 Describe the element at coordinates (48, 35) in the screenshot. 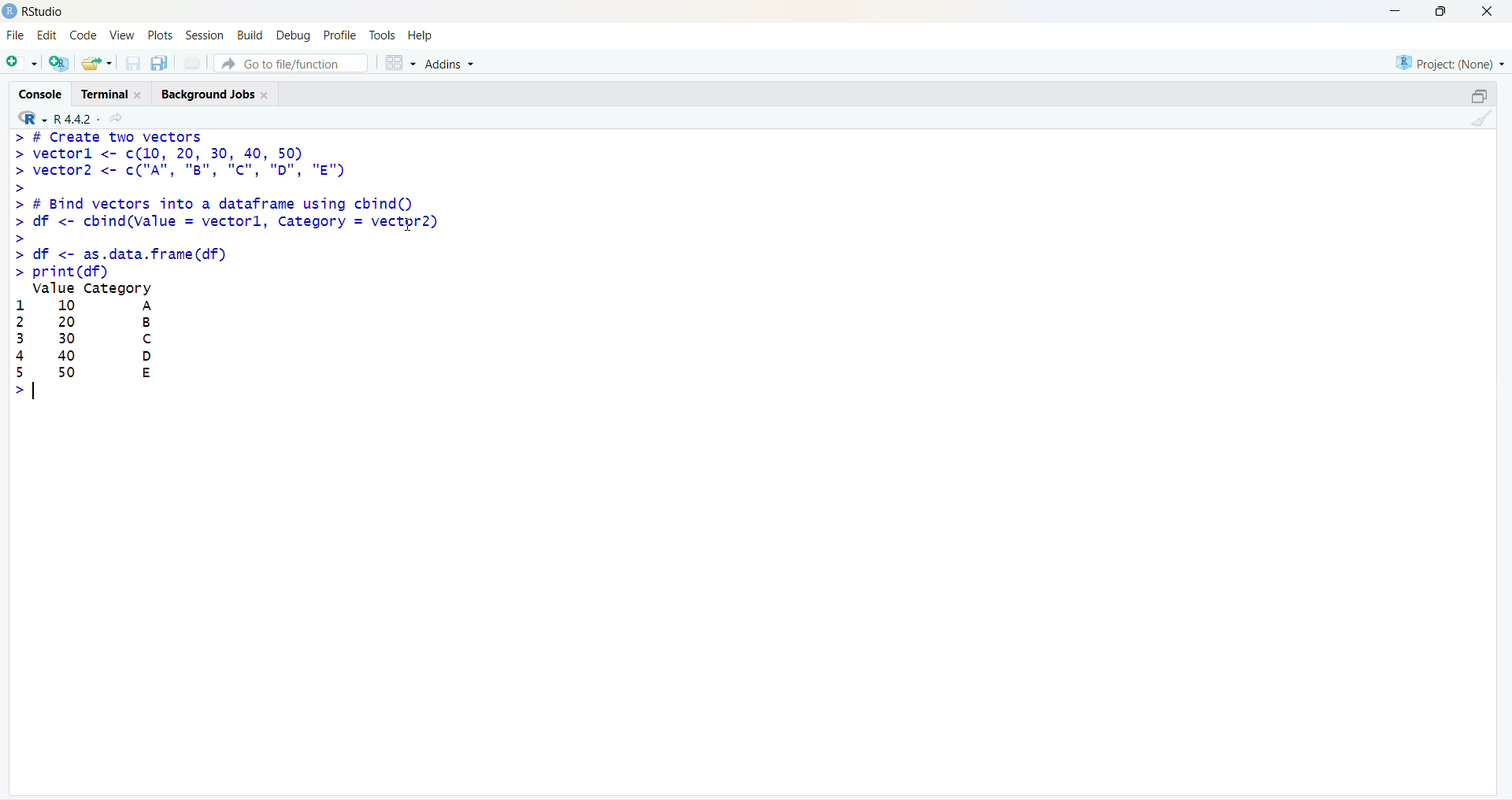

I see `Edit` at that location.